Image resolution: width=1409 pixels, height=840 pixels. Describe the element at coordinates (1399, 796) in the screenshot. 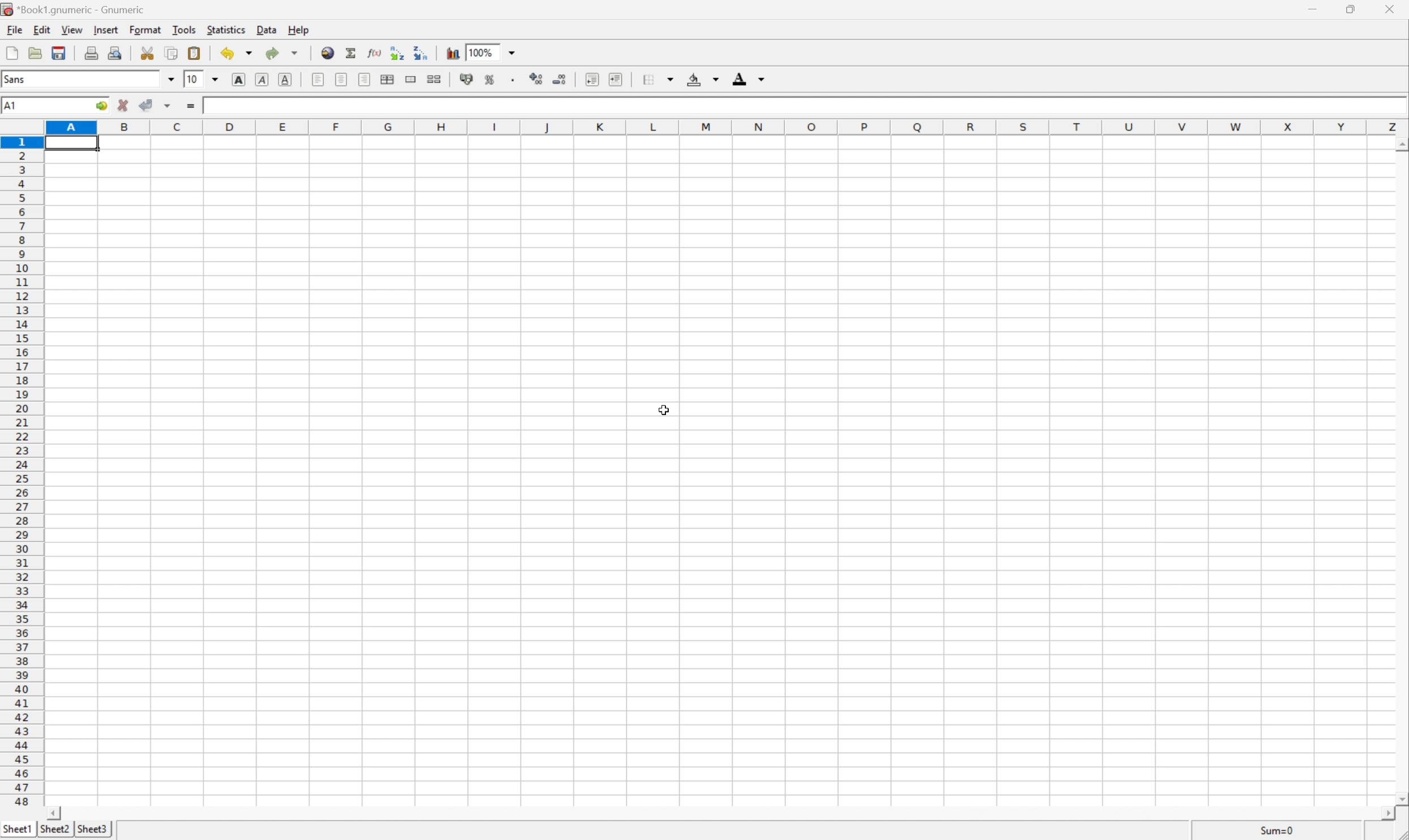

I see `Scroll Down` at that location.